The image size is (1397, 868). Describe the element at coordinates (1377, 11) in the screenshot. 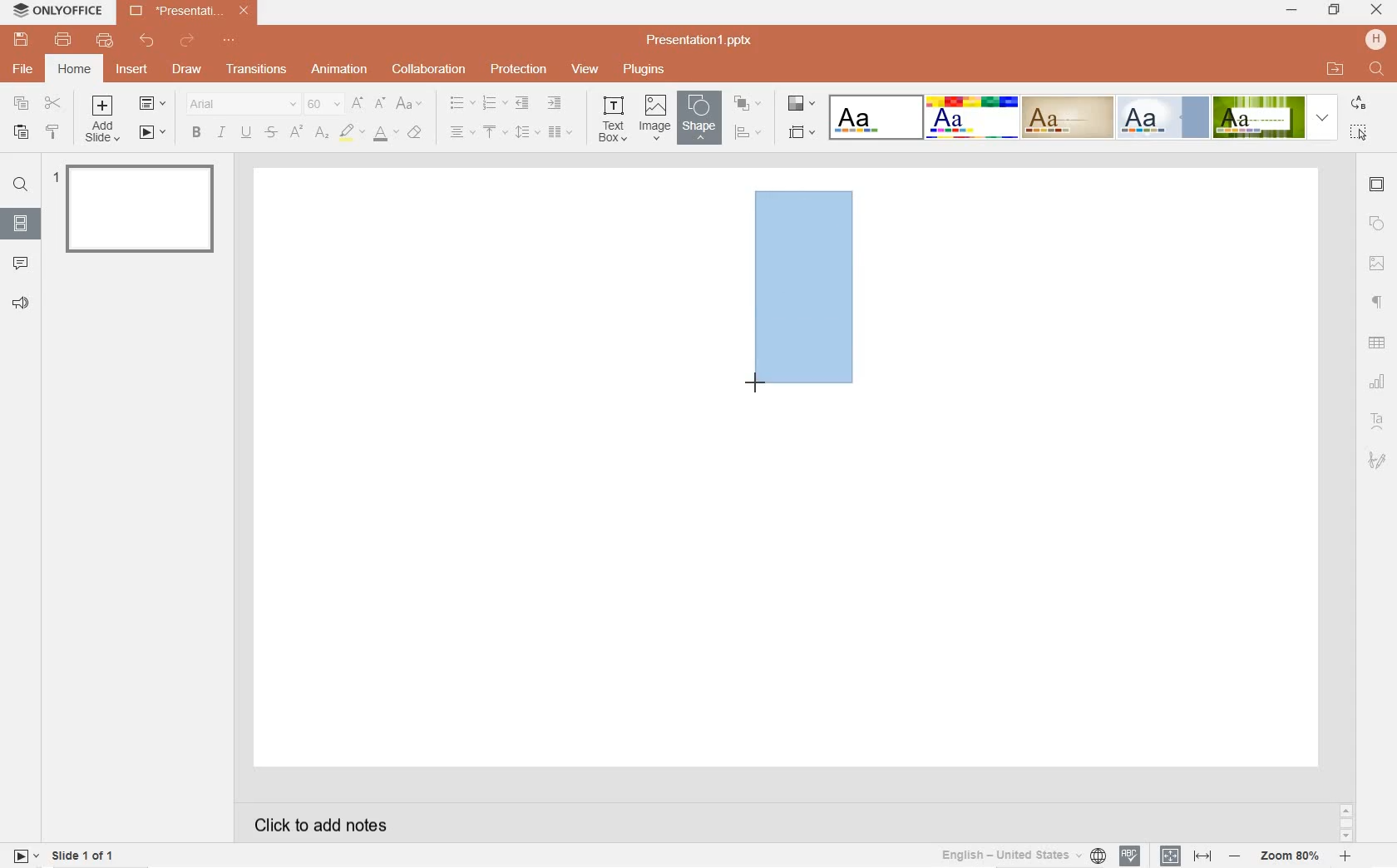

I see `CLOSE` at that location.